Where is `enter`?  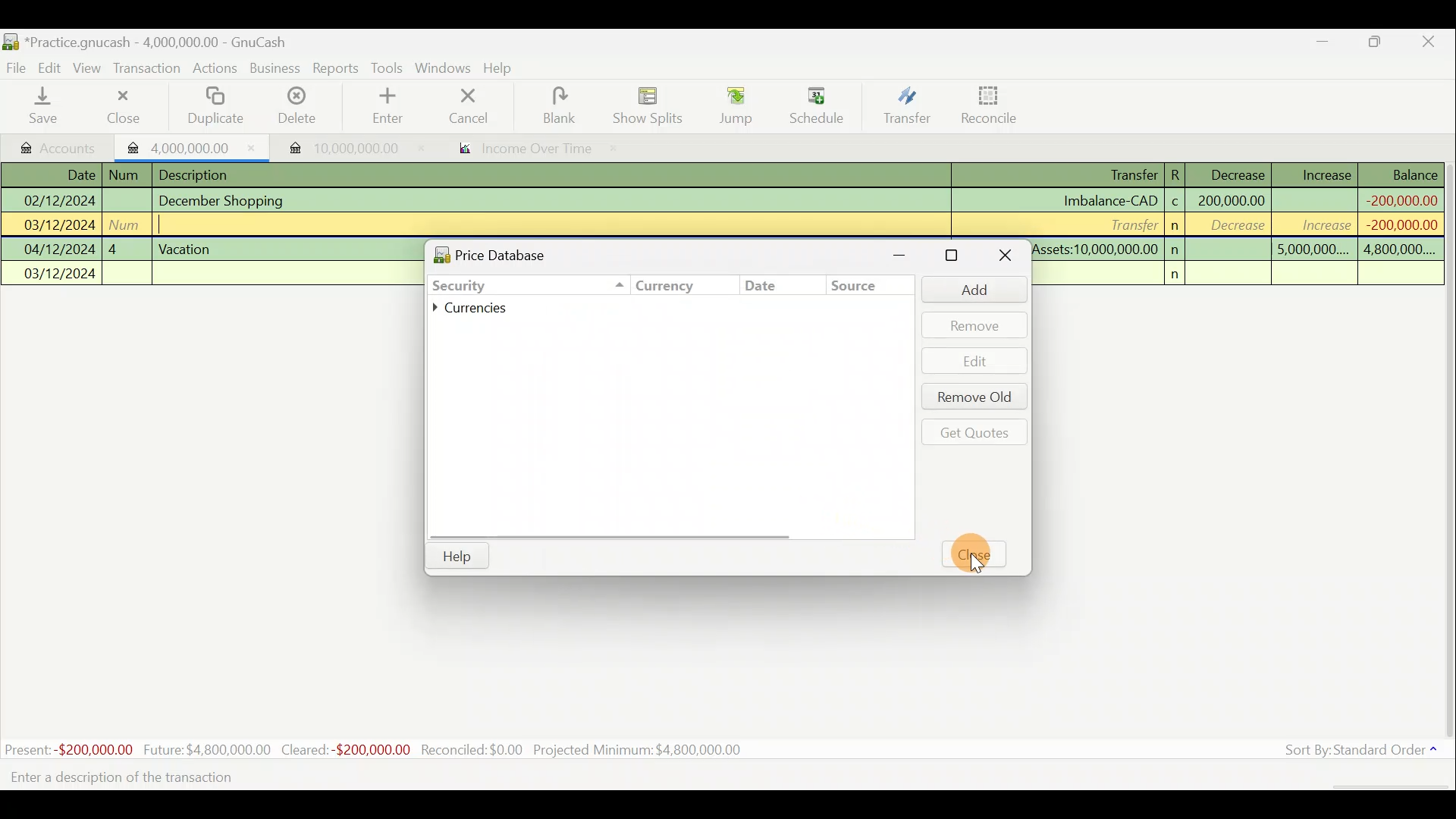
enter is located at coordinates (393, 107).